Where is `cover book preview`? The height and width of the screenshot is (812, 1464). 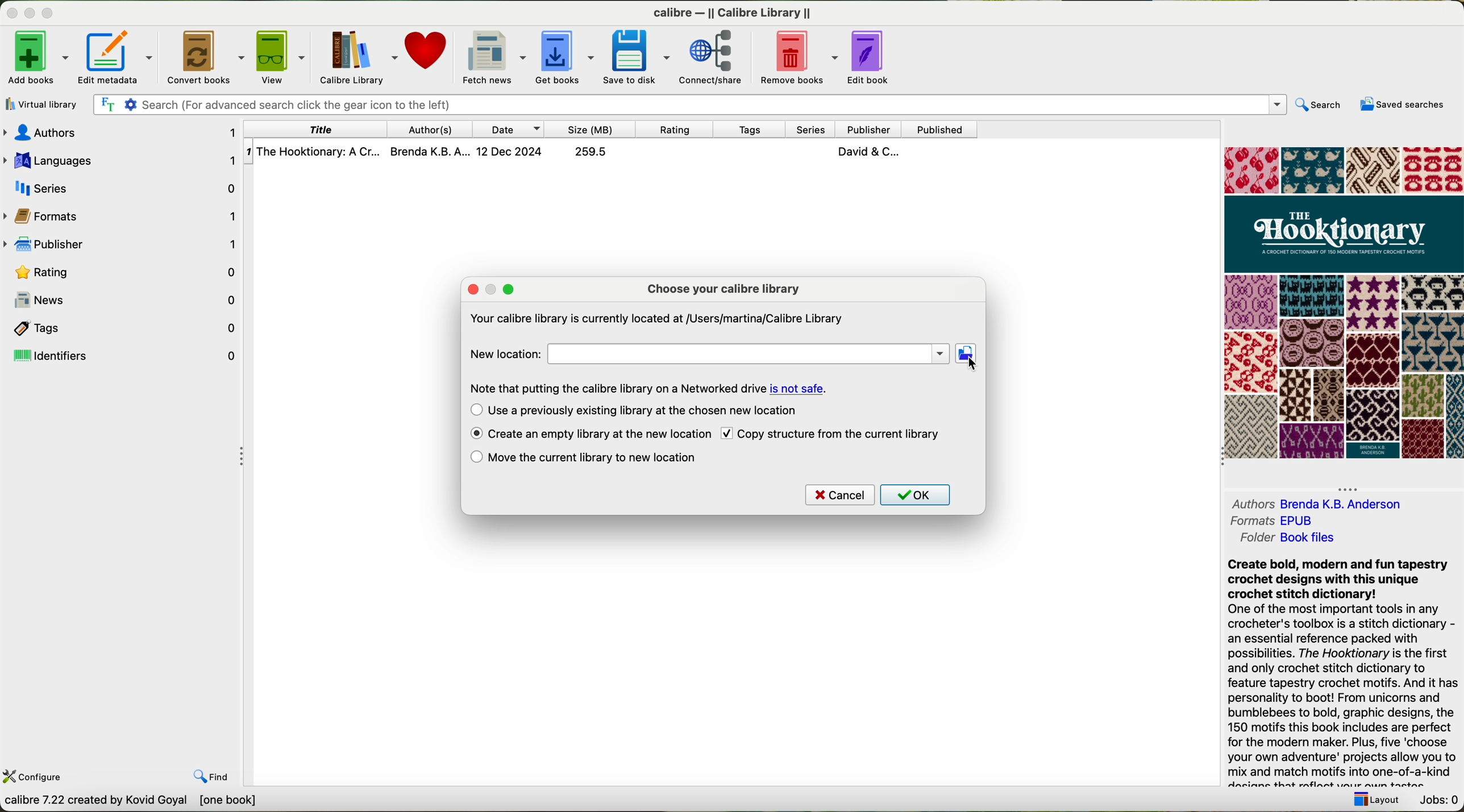
cover book preview is located at coordinates (1342, 303).